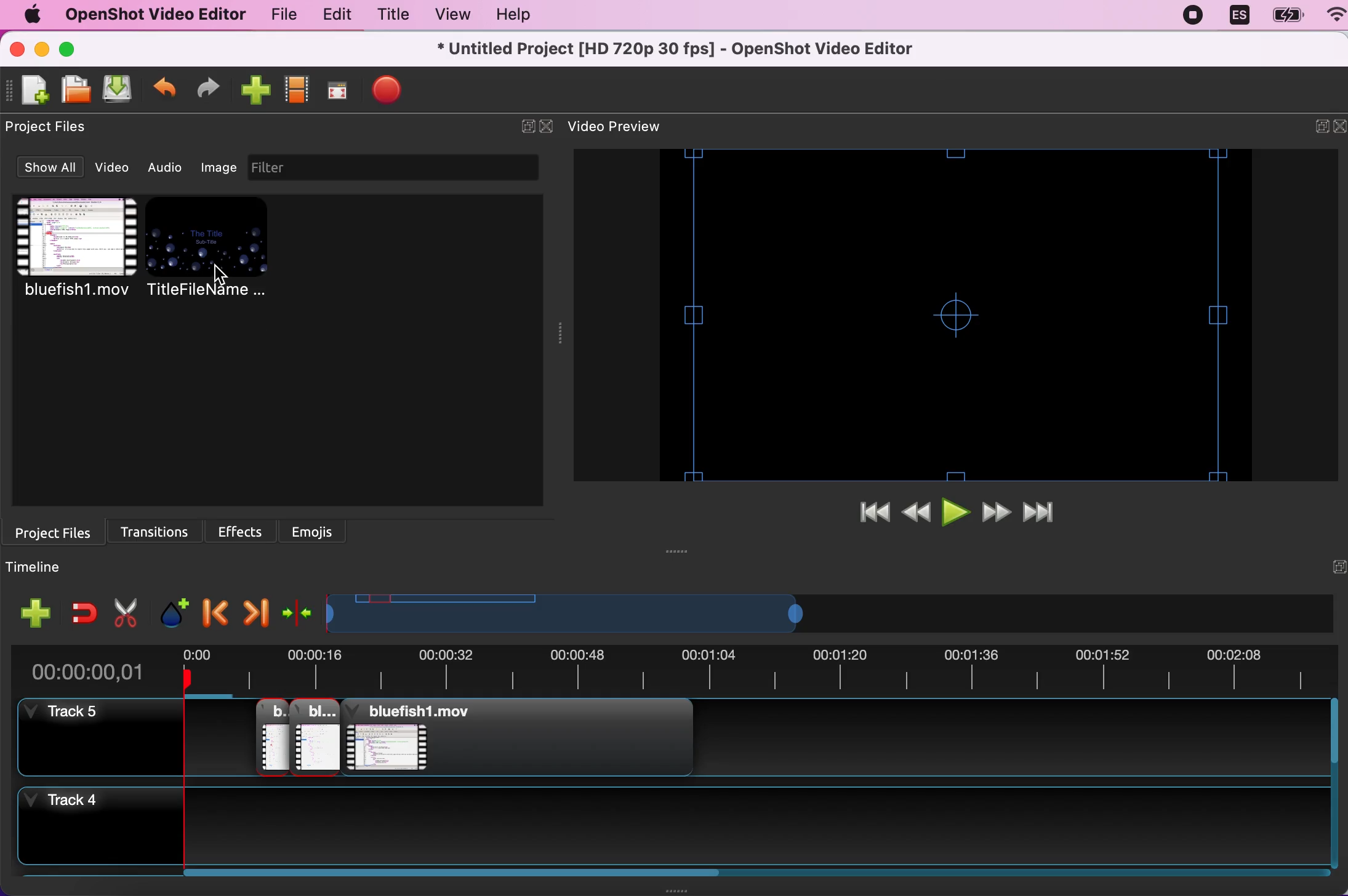 This screenshot has height=896, width=1348. I want to click on recording stopped, so click(1195, 15).